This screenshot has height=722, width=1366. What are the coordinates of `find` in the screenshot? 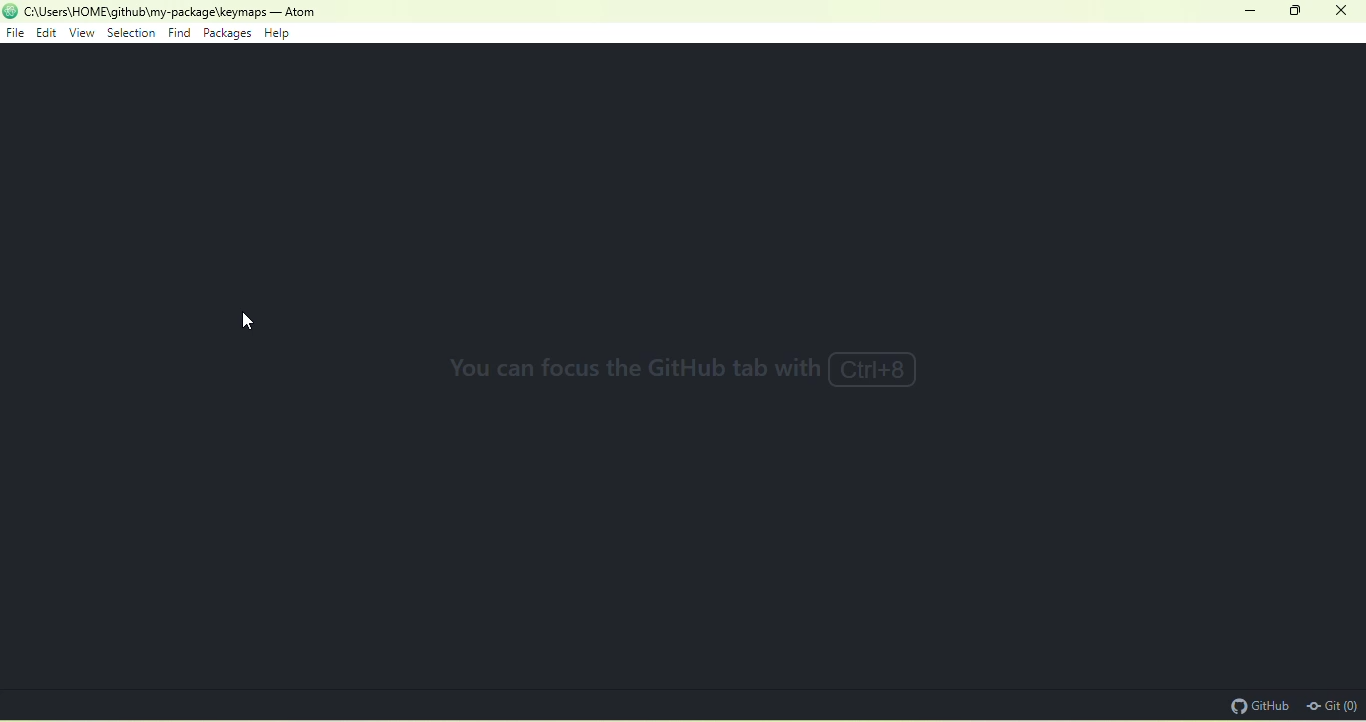 It's located at (181, 33).